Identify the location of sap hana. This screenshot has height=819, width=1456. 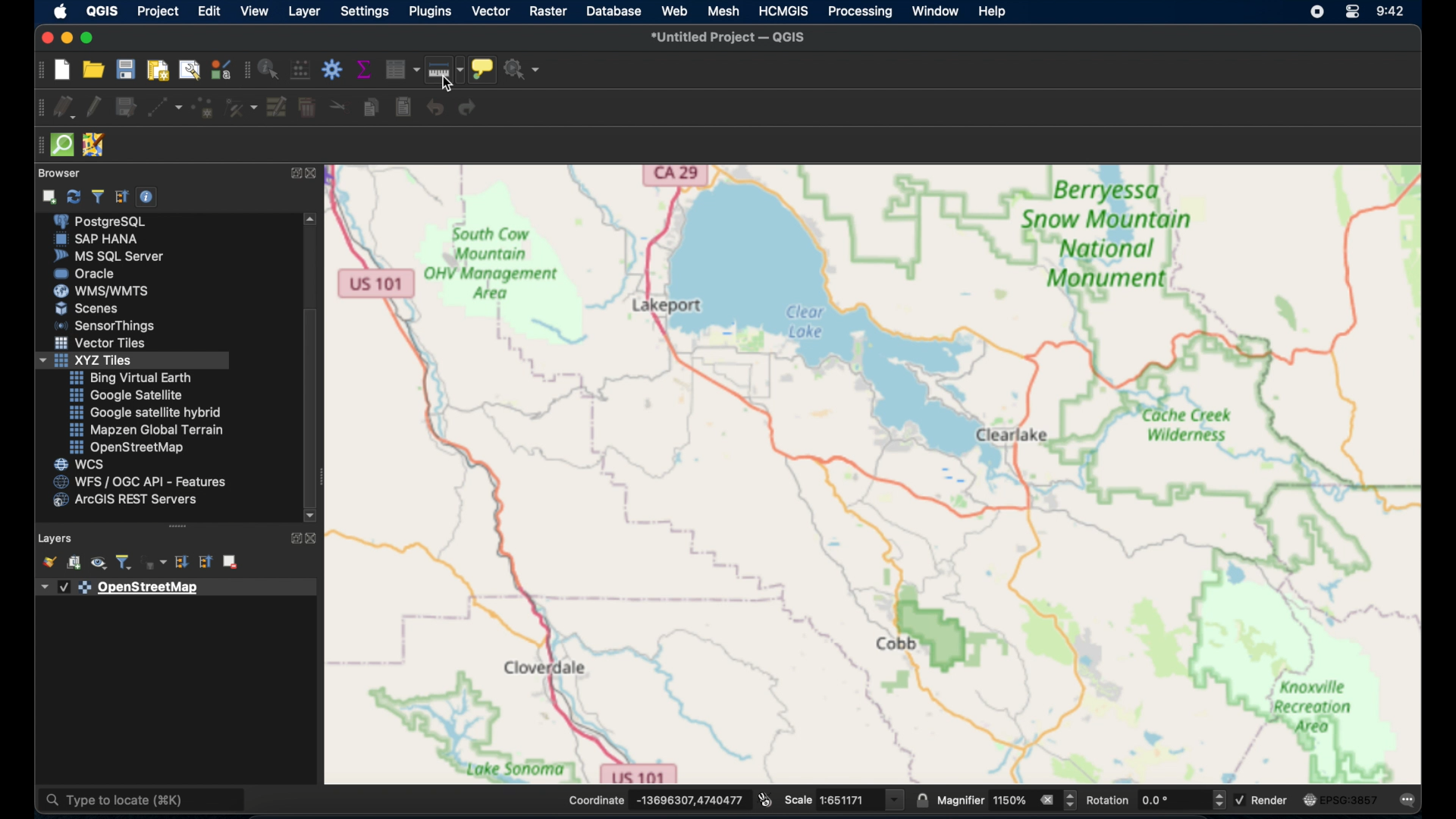
(99, 240).